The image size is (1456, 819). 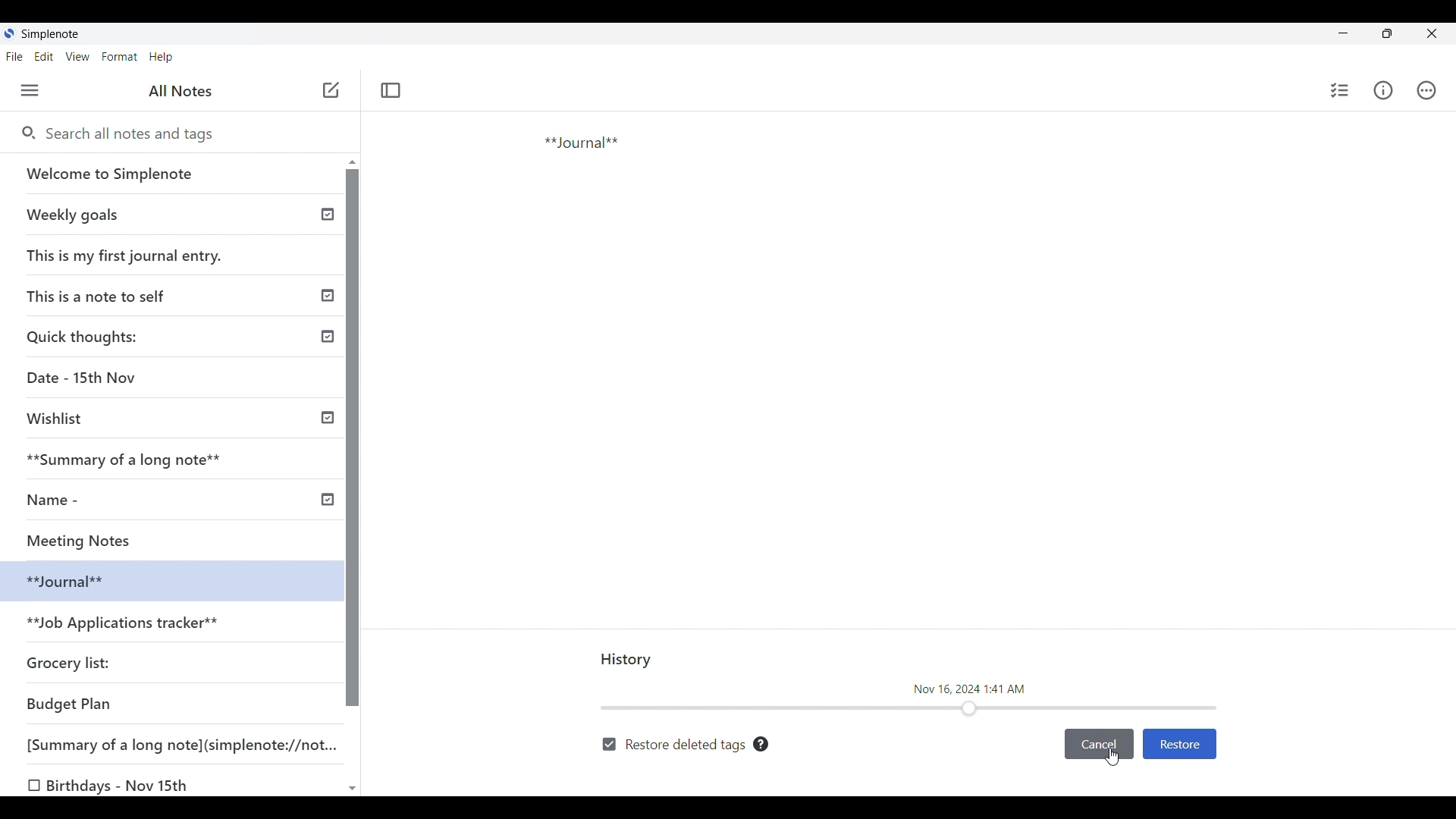 What do you see at coordinates (1343, 33) in the screenshot?
I see `Minimize` at bounding box center [1343, 33].